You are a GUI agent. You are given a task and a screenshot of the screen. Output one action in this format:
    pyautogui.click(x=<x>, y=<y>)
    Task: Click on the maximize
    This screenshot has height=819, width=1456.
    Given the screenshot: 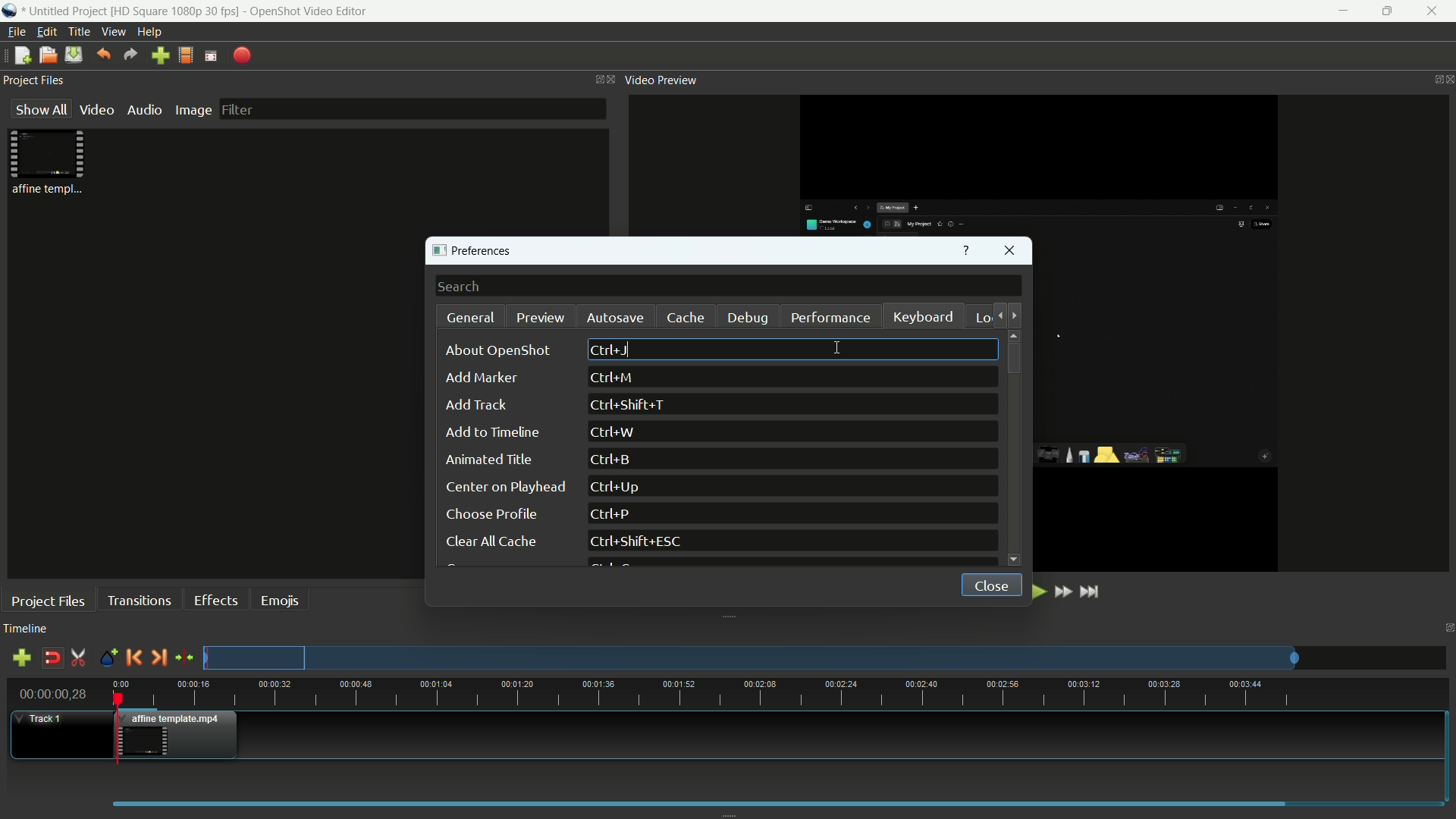 What is the action you would take?
    pyautogui.click(x=1387, y=11)
    